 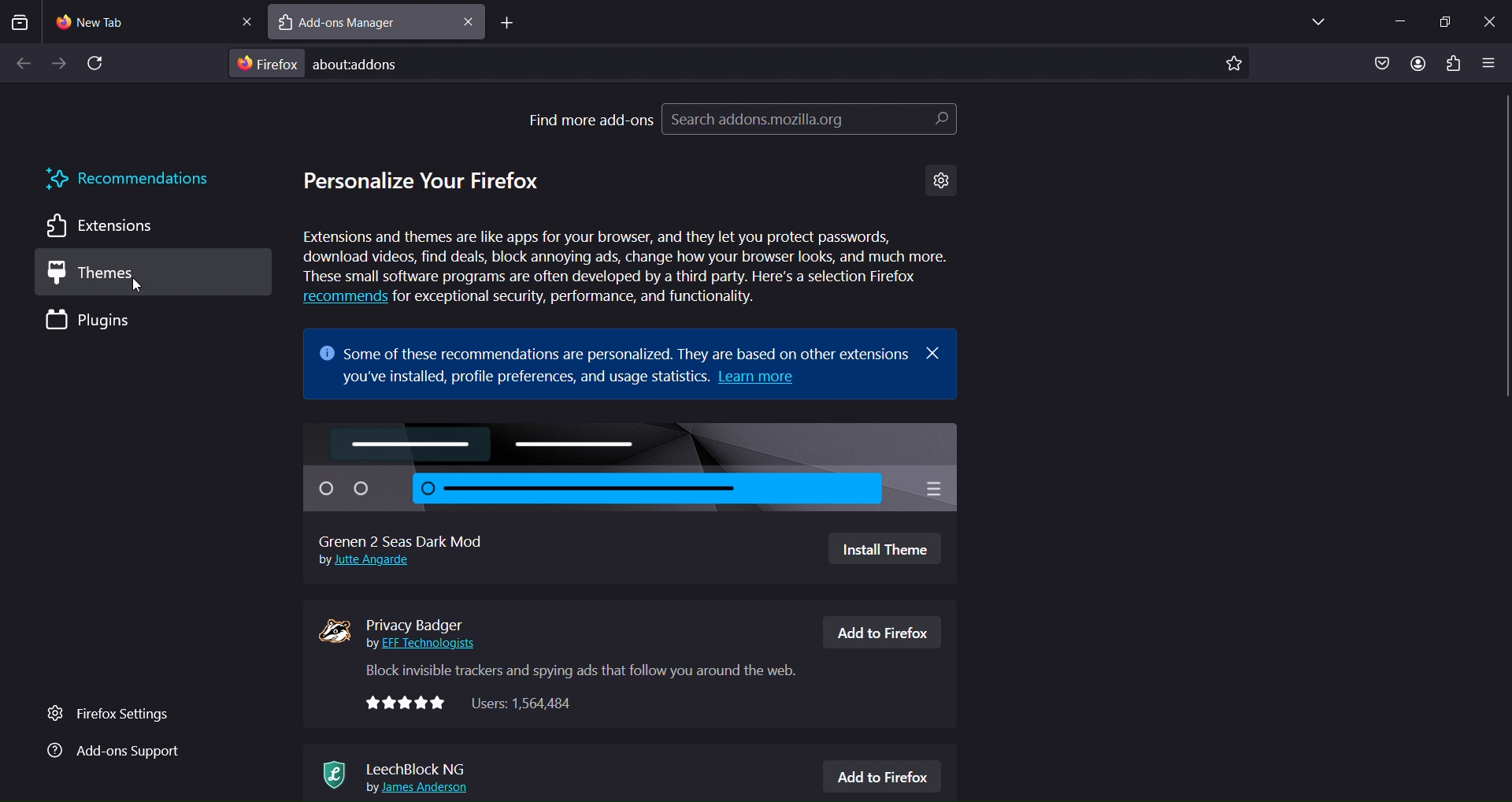 I want to click on Jutte Angarde, so click(x=375, y=562).